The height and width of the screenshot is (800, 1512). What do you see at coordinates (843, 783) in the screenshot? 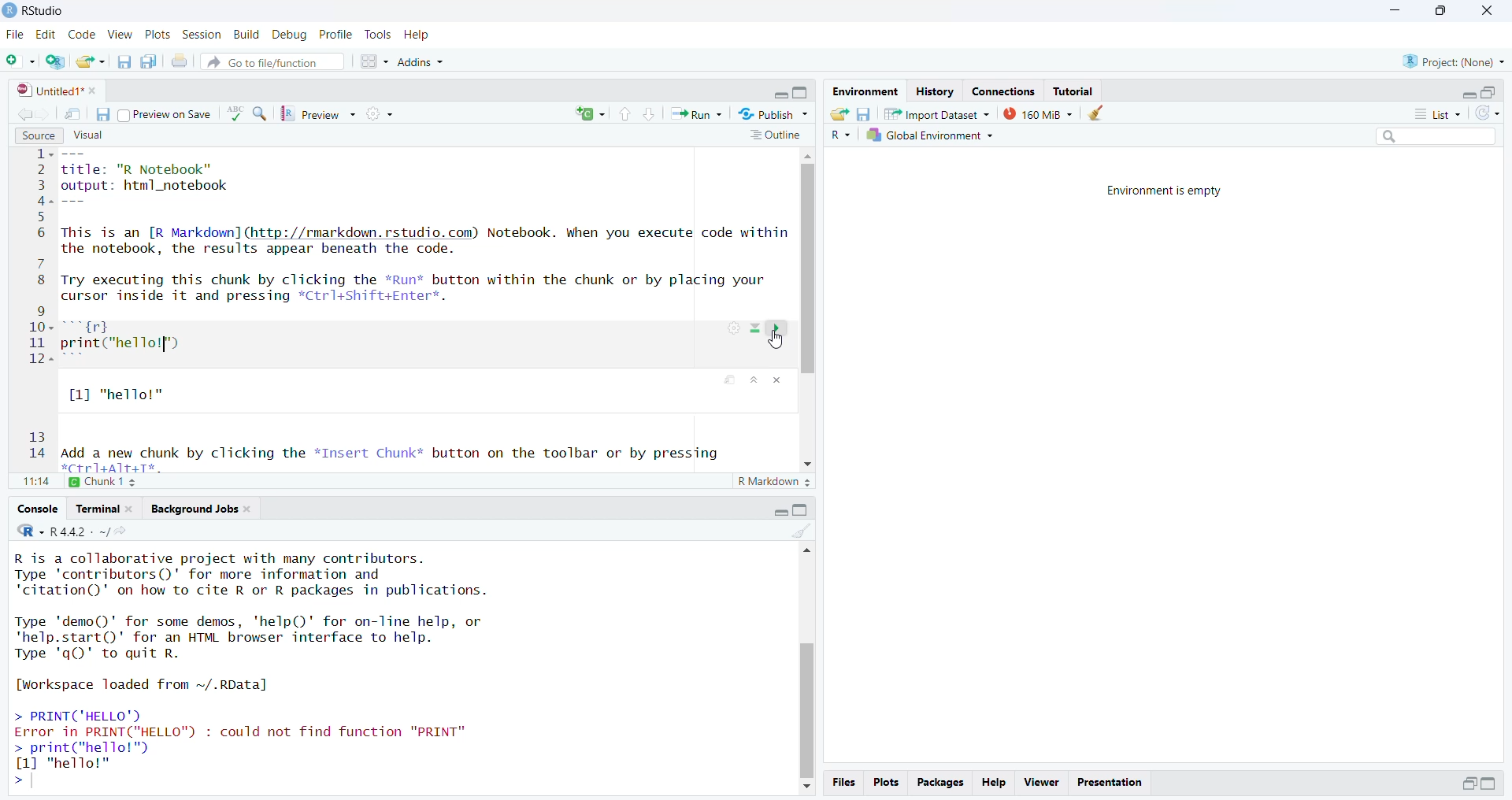
I see `files` at bounding box center [843, 783].